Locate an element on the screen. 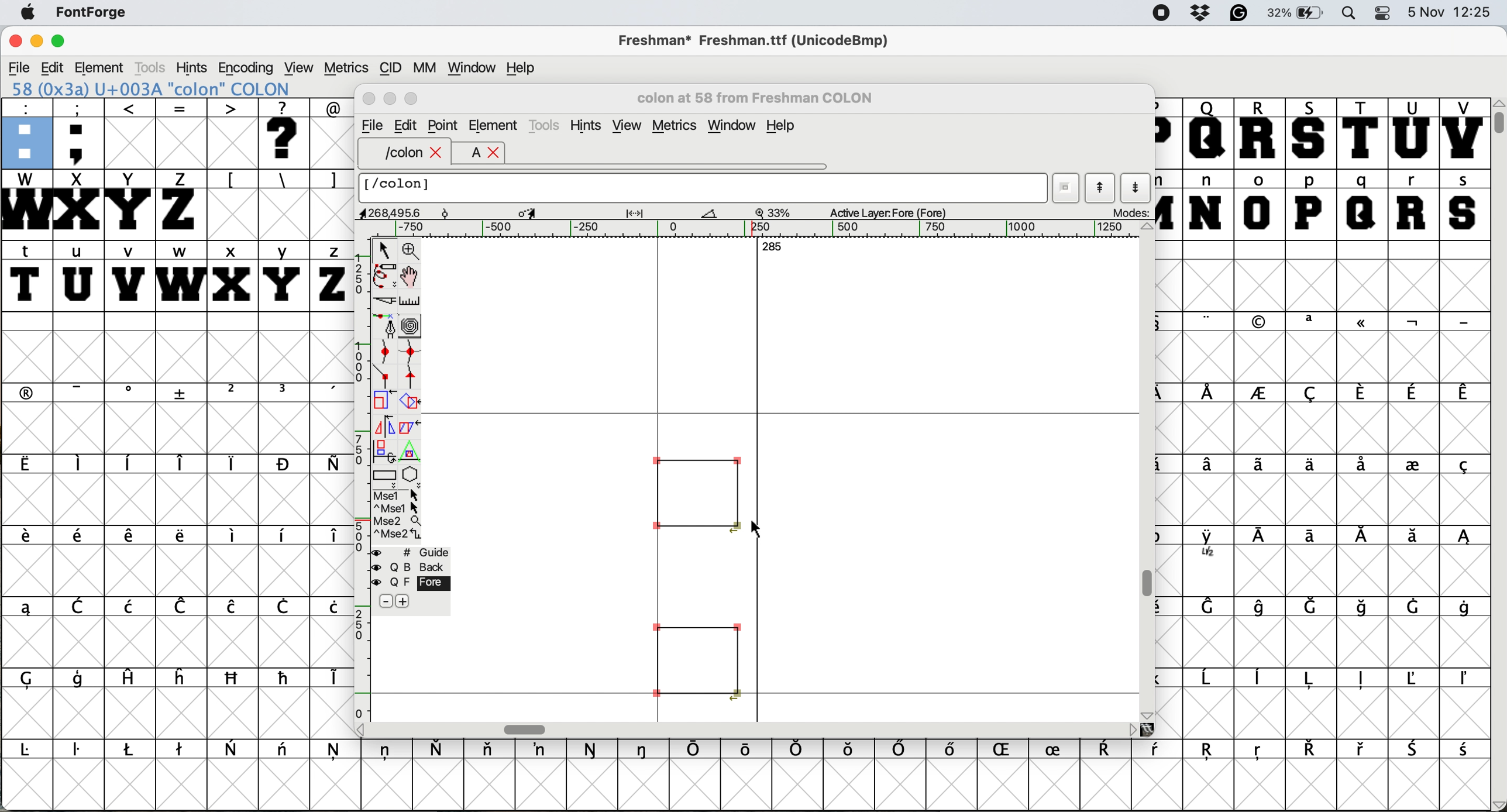 Image resolution: width=1507 pixels, height=812 pixels. symbol is located at coordinates (1261, 463).